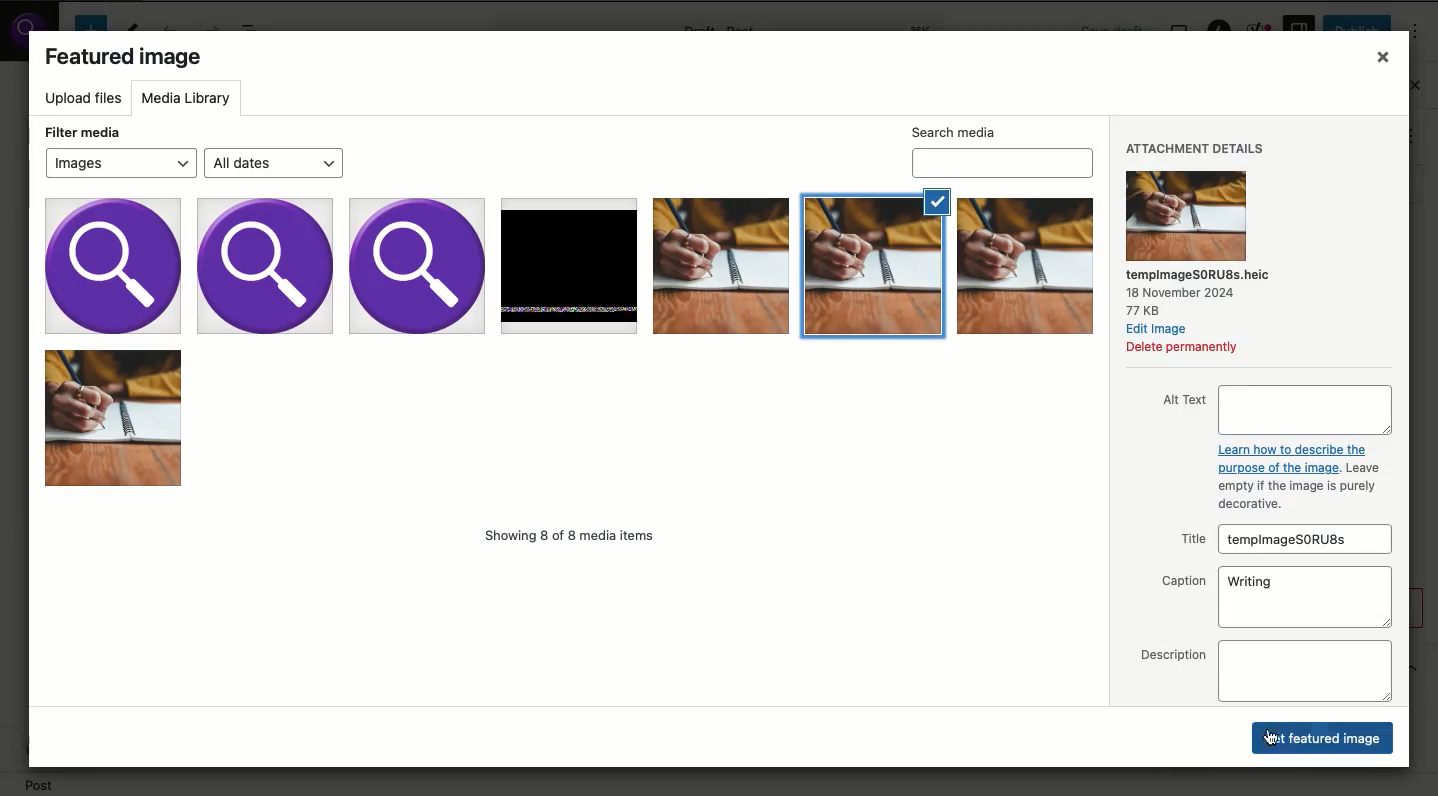 The height and width of the screenshot is (796, 1438). What do you see at coordinates (1305, 496) in the screenshot?
I see `Instructional text` at bounding box center [1305, 496].